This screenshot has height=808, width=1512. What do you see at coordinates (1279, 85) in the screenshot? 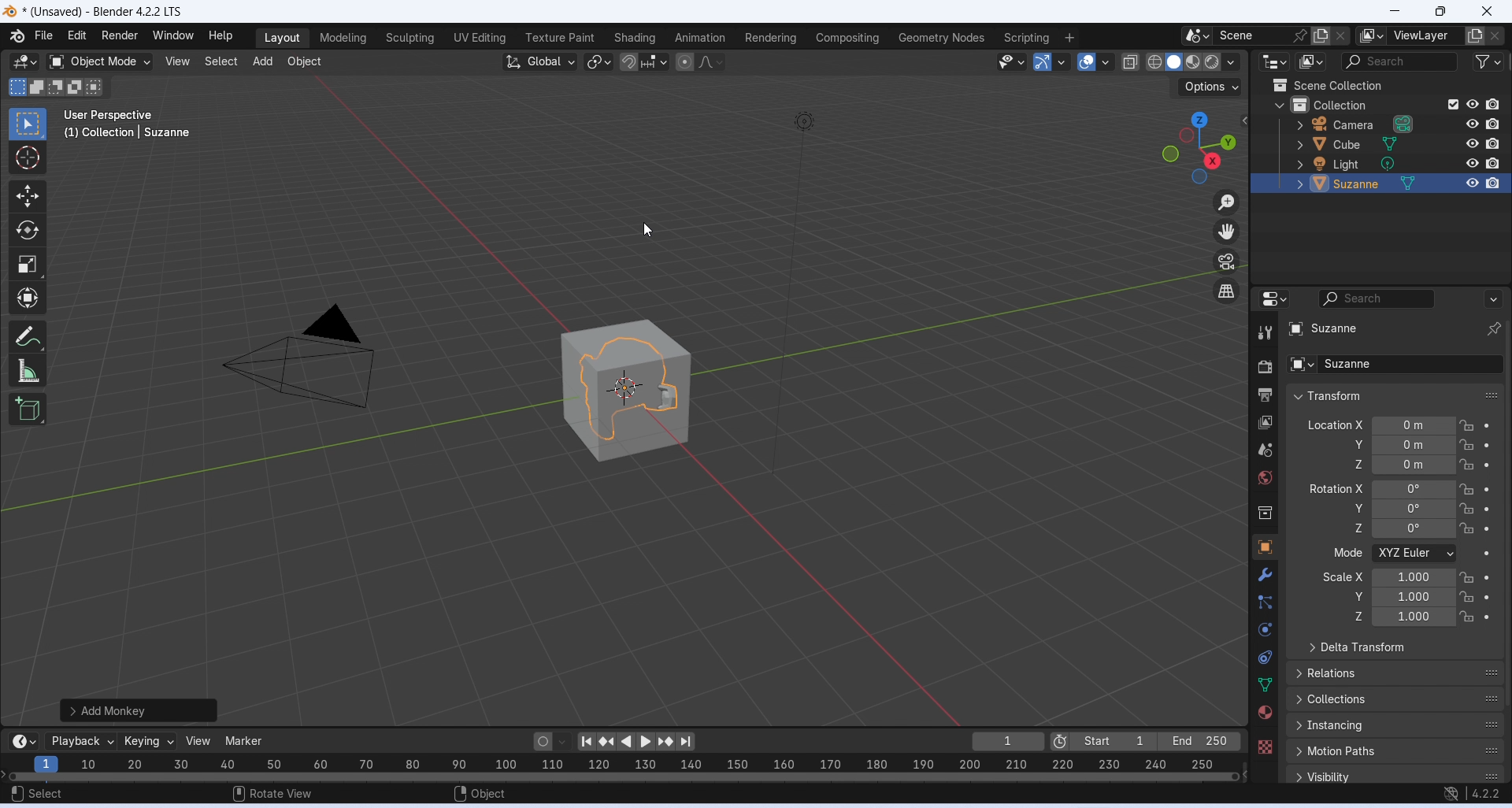
I see `icon` at bounding box center [1279, 85].